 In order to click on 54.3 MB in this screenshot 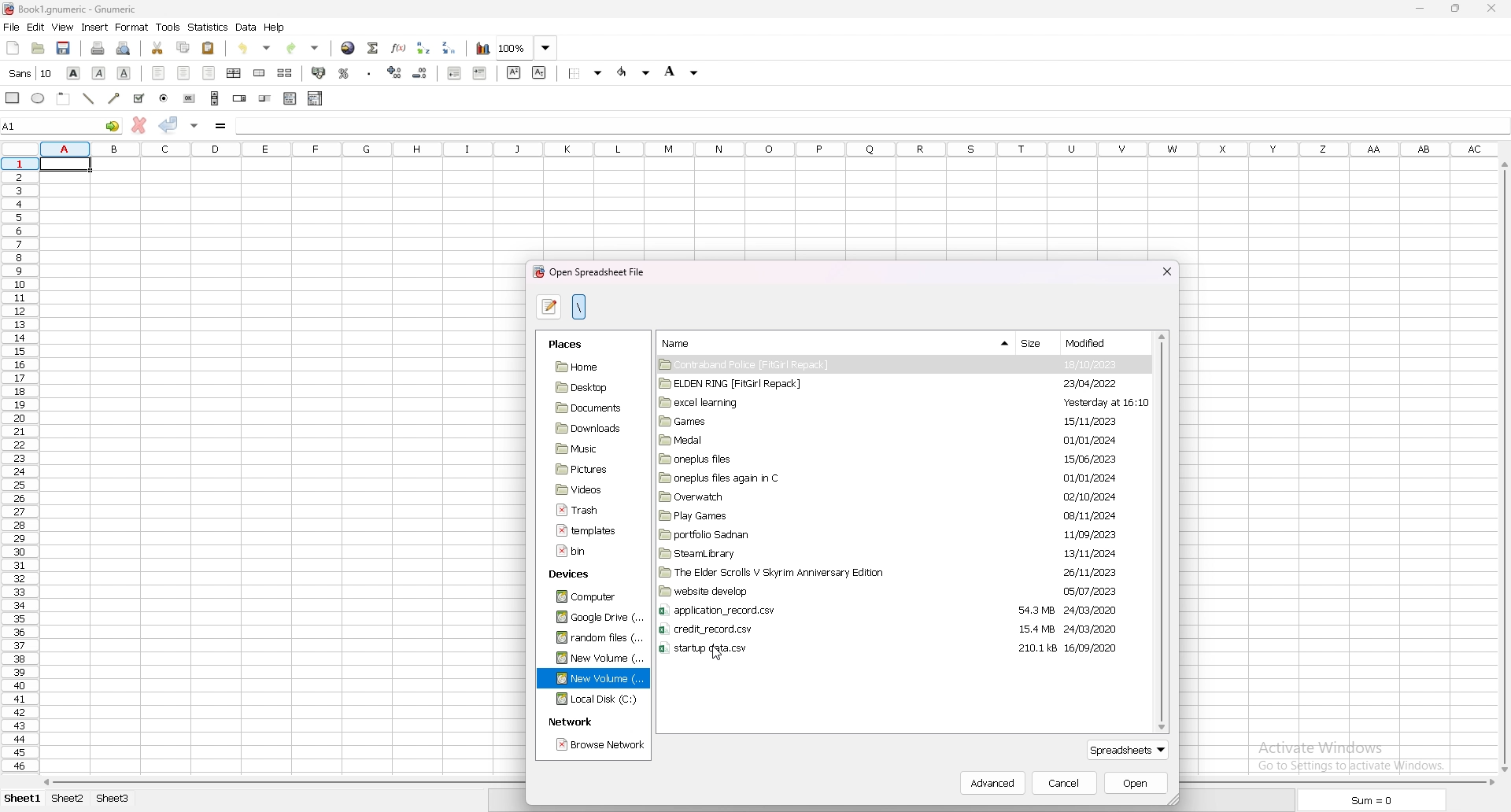, I will do `click(1022, 610)`.